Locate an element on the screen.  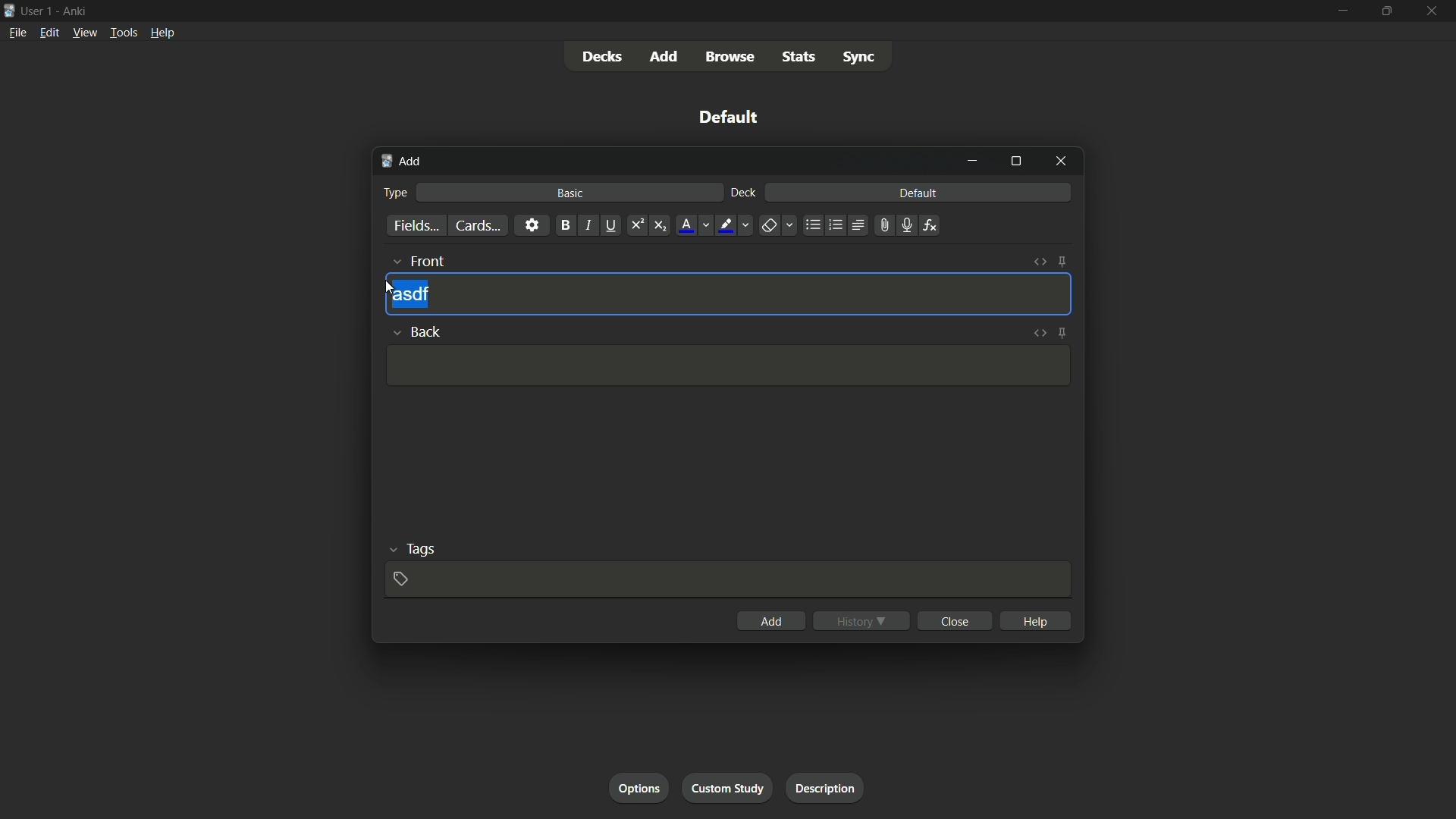
cards is located at coordinates (477, 225).